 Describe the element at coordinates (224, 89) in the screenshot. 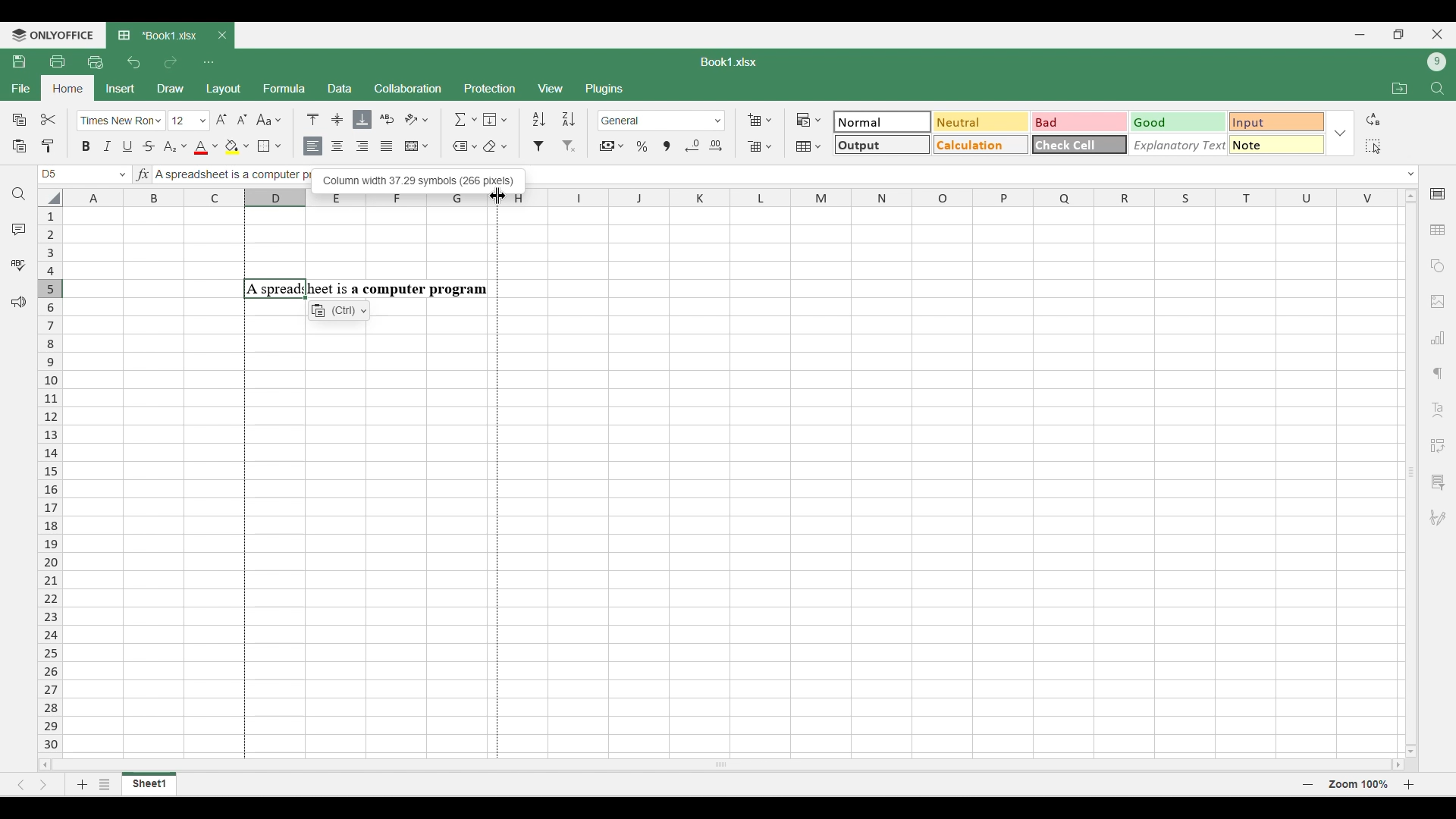

I see `Layout menu` at that location.